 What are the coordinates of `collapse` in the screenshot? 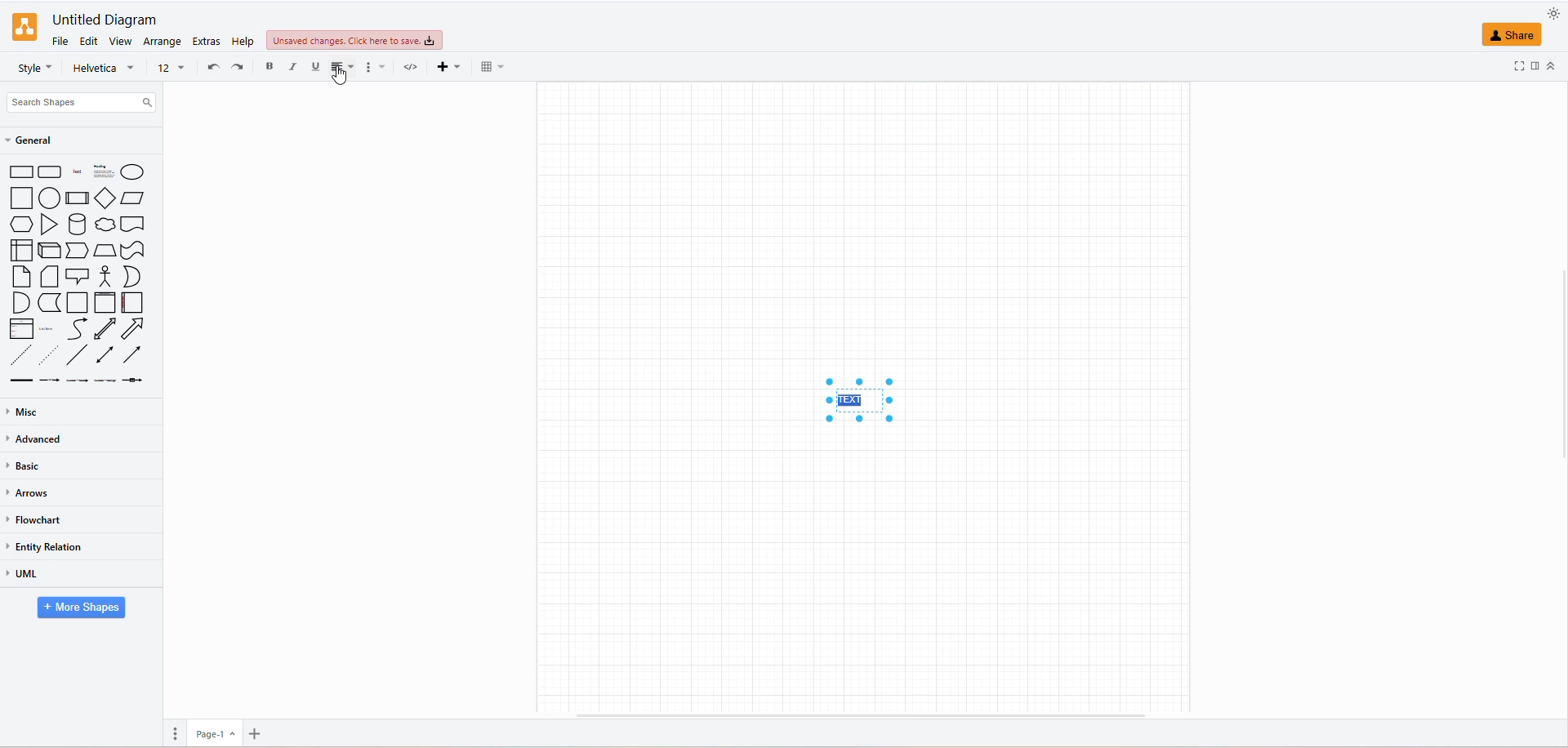 It's located at (1553, 65).